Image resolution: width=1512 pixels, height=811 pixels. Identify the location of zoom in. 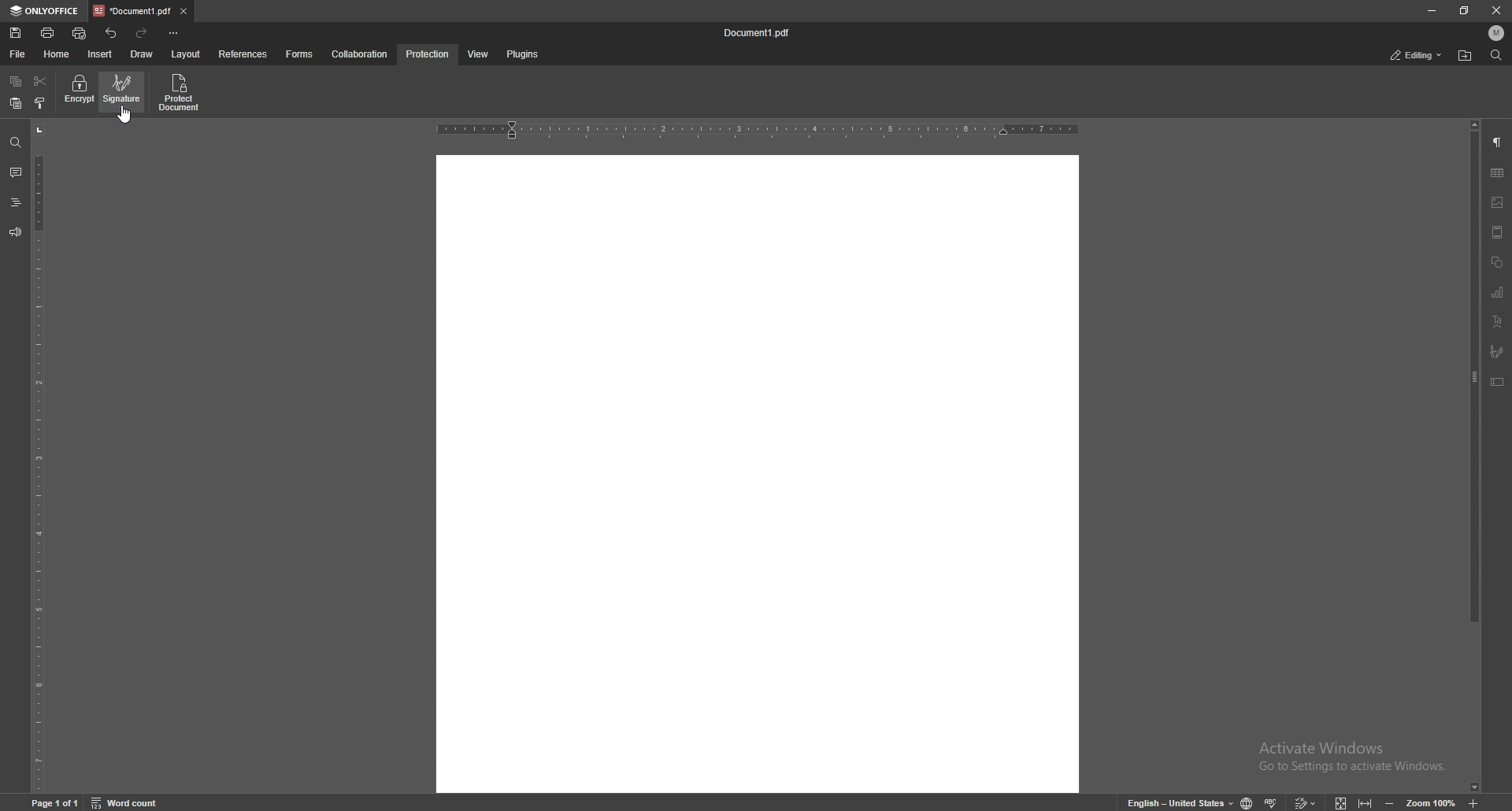
(1487, 803).